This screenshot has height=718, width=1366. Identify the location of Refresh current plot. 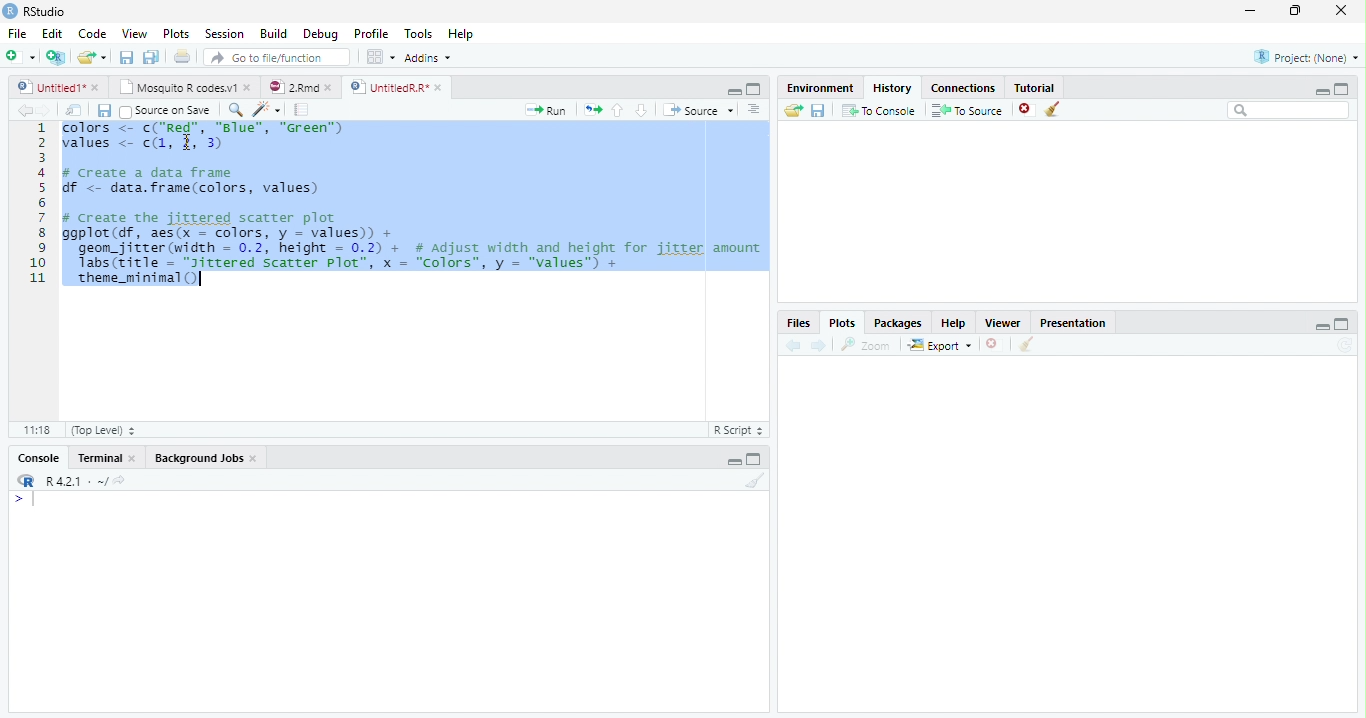
(1345, 345).